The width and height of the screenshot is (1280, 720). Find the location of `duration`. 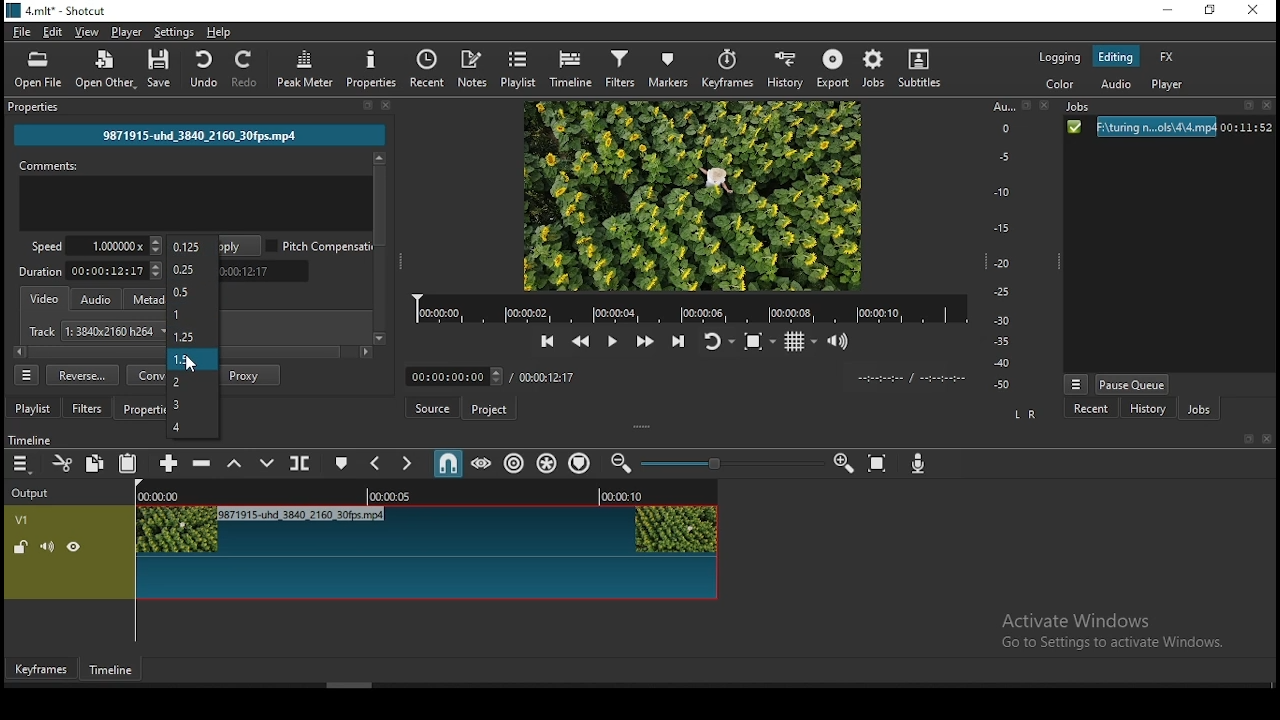

duration is located at coordinates (90, 273).